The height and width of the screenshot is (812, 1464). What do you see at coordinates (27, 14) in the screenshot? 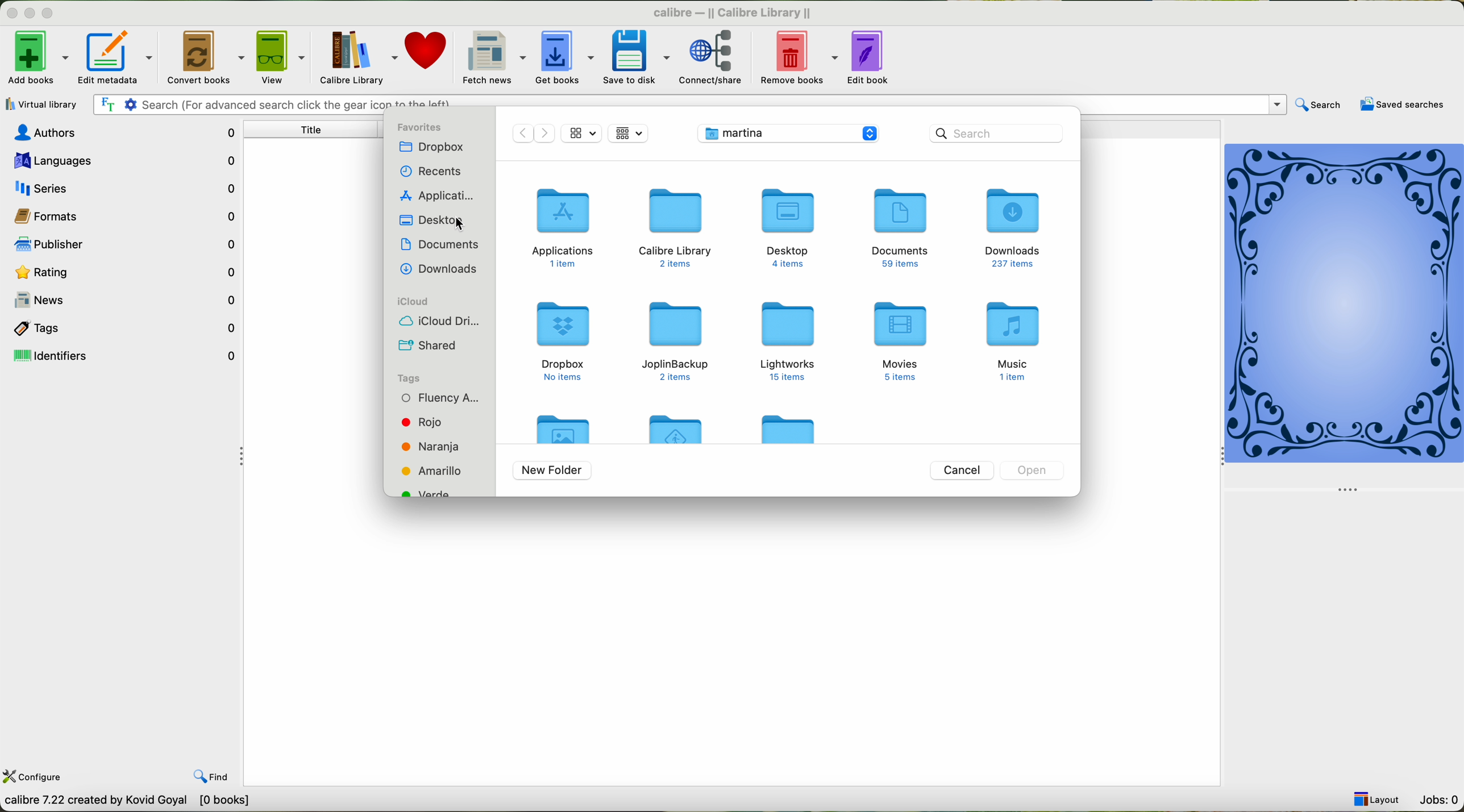
I see `minimize` at bounding box center [27, 14].